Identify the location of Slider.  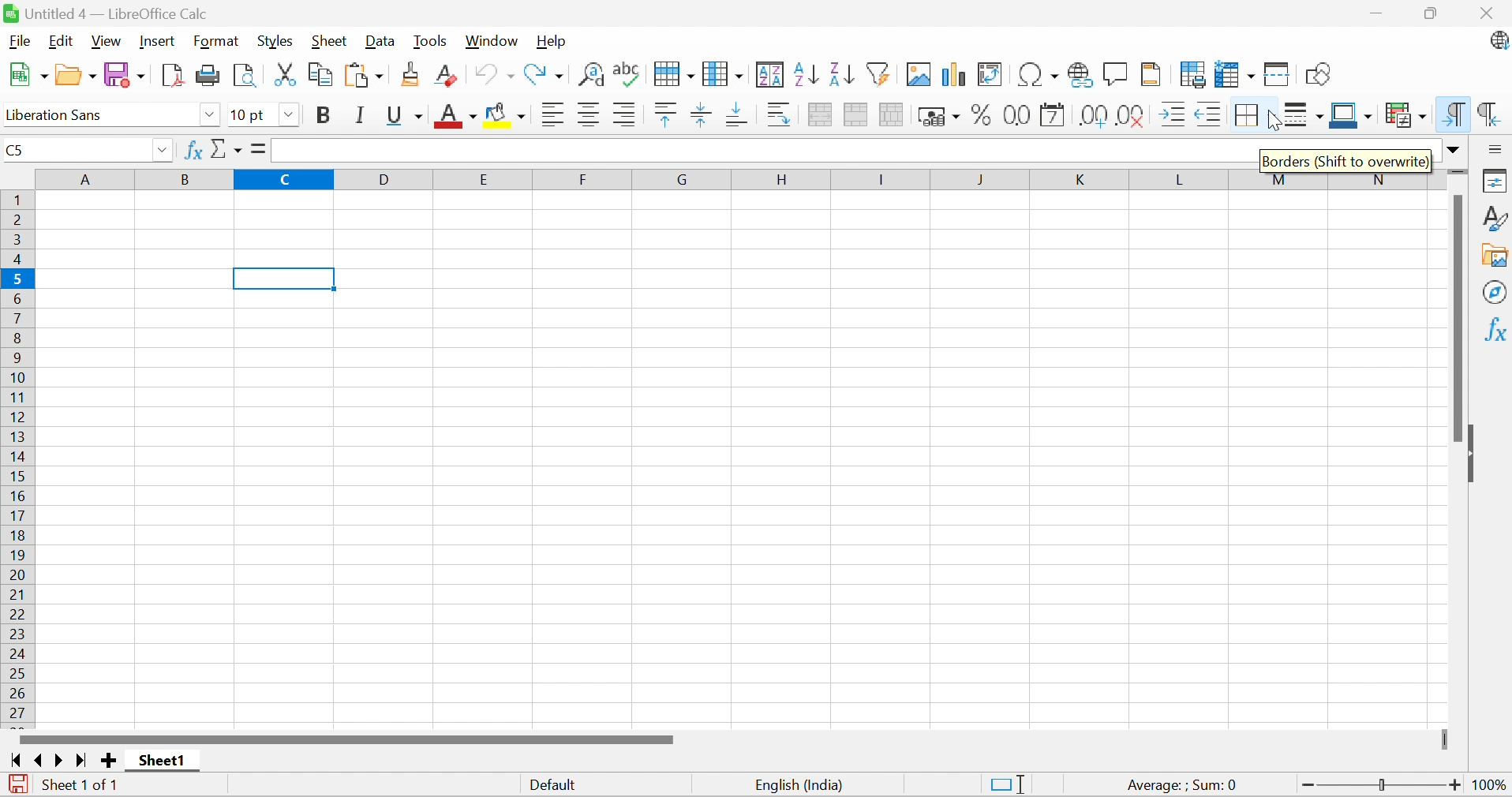
(1447, 740).